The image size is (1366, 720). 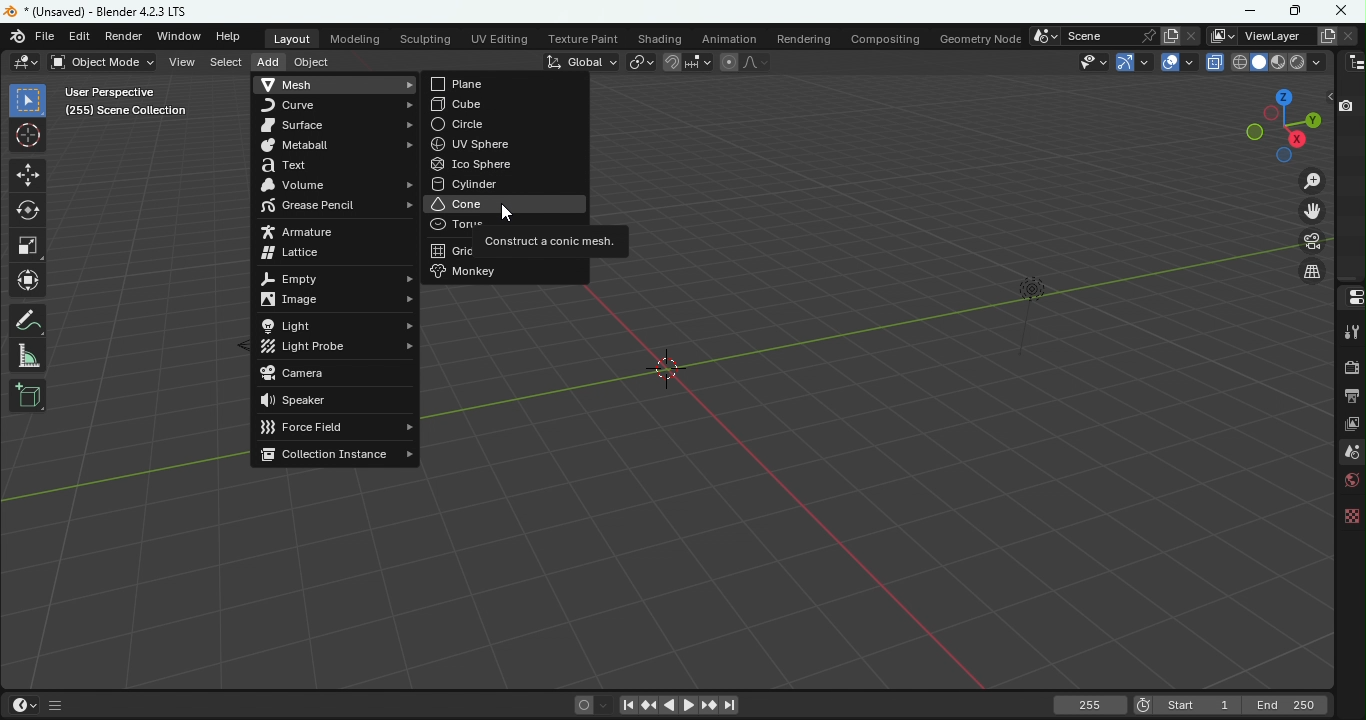 I want to click on Rotate the scene, so click(x=1299, y=139).